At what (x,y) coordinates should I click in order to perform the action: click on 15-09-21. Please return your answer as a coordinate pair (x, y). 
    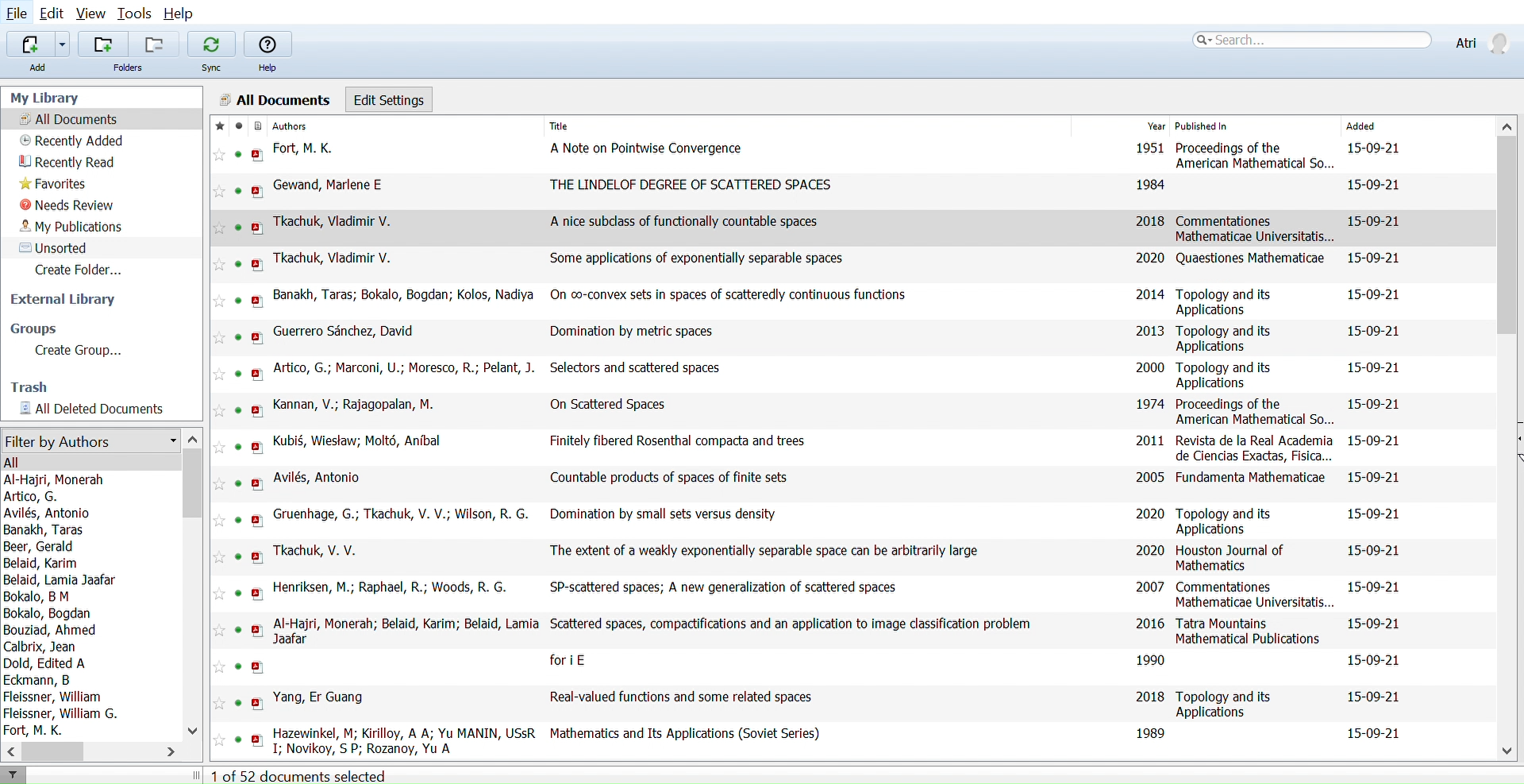
    Looking at the image, I should click on (1375, 660).